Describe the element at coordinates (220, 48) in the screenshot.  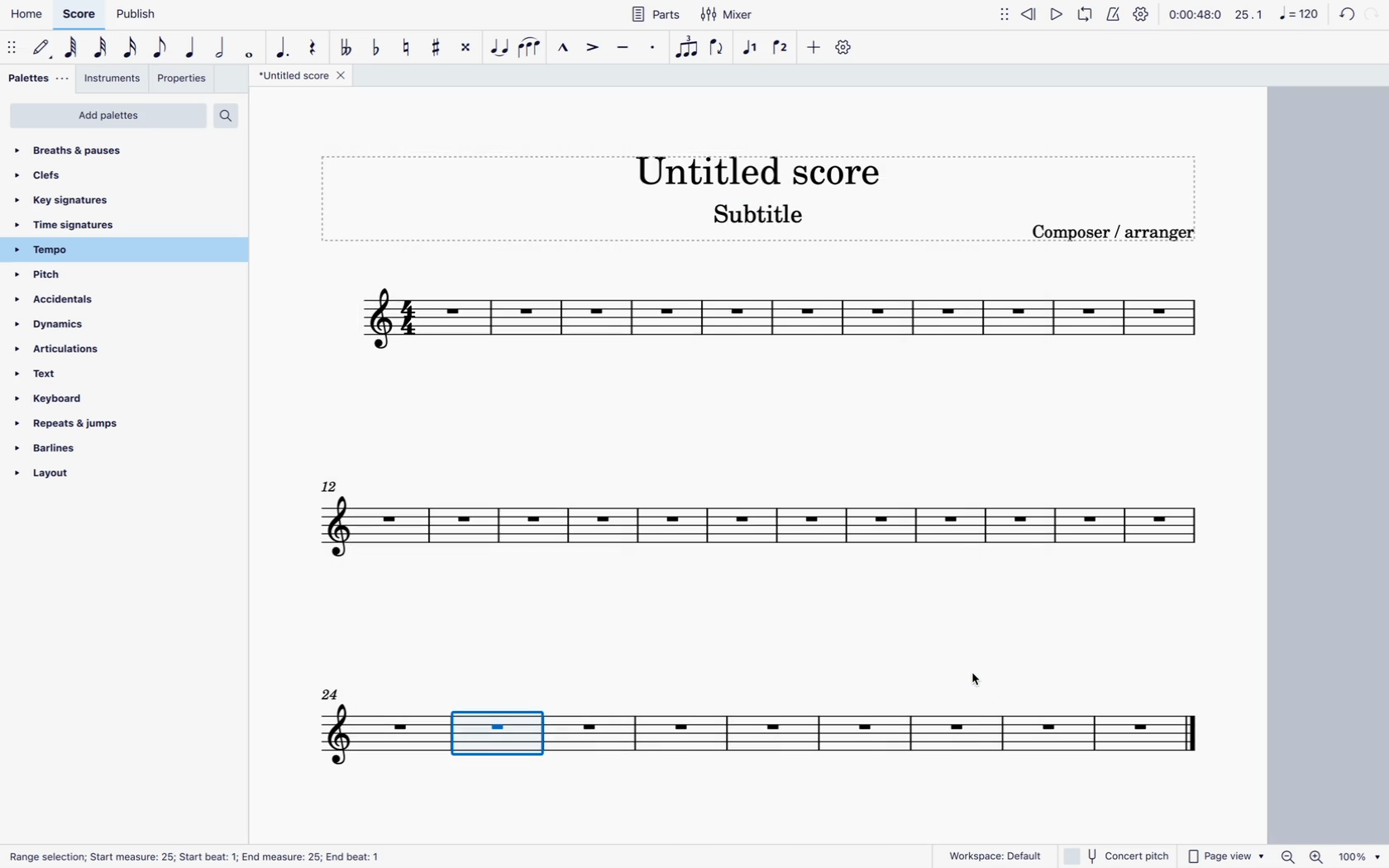
I see `half note` at that location.